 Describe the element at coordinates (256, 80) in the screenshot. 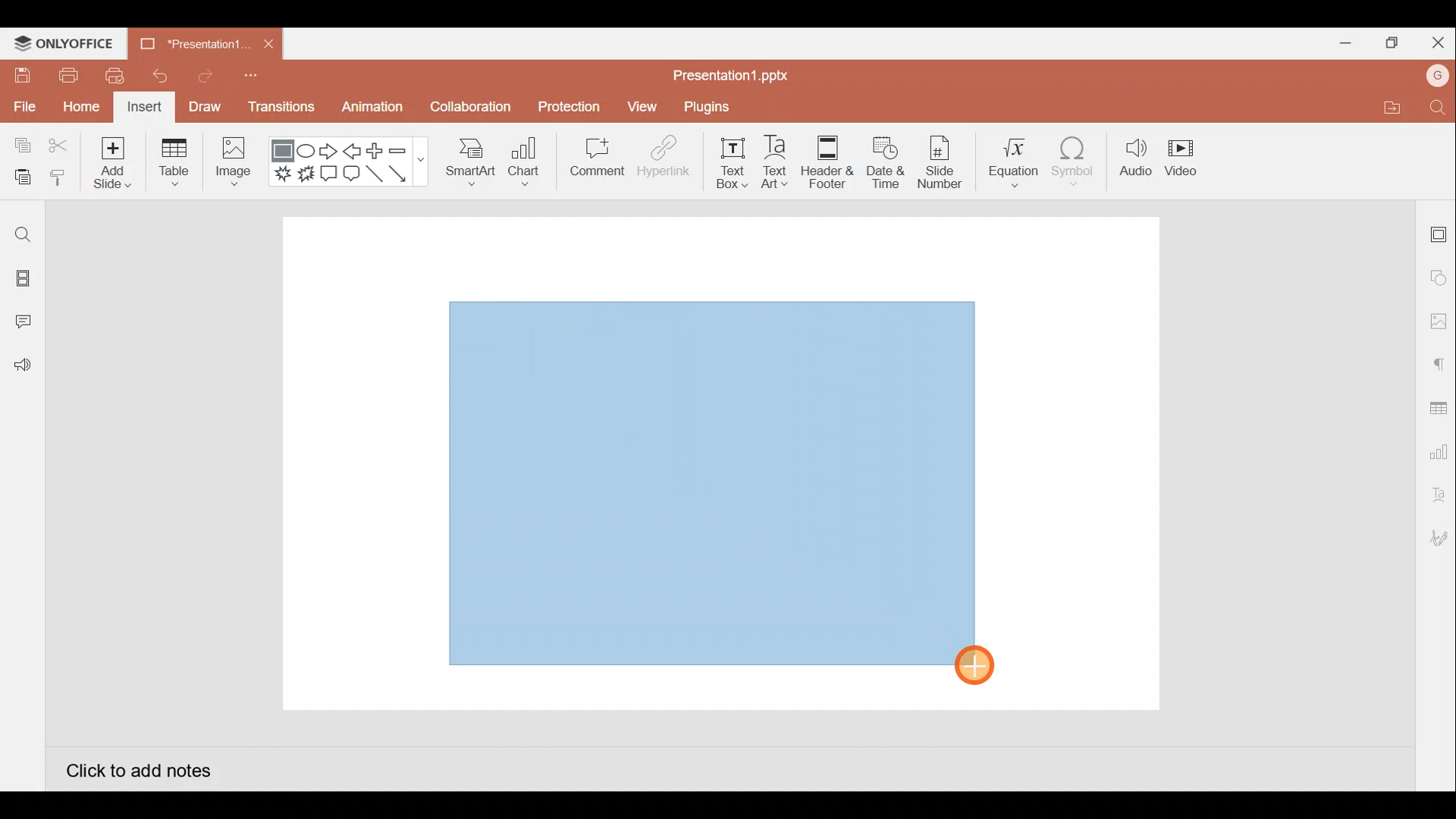

I see `Customize quick access toolbar` at that location.